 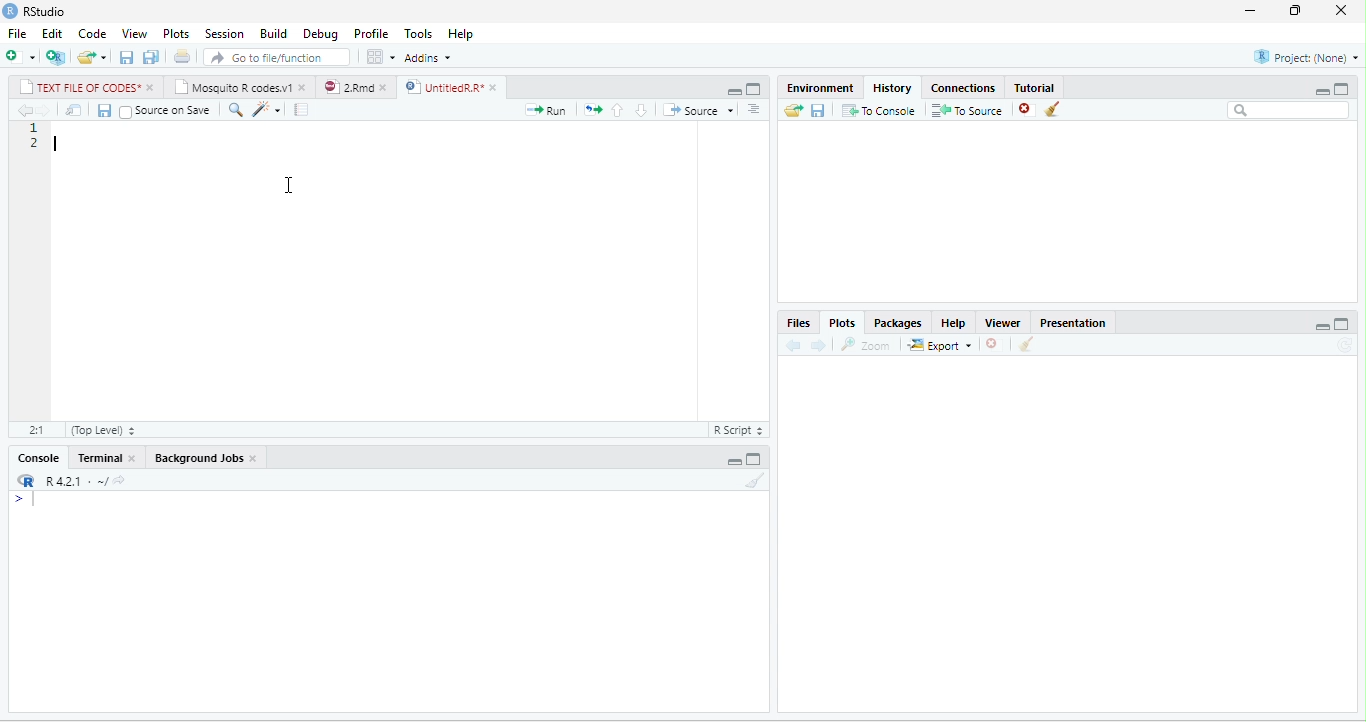 What do you see at coordinates (92, 58) in the screenshot?
I see `open file` at bounding box center [92, 58].